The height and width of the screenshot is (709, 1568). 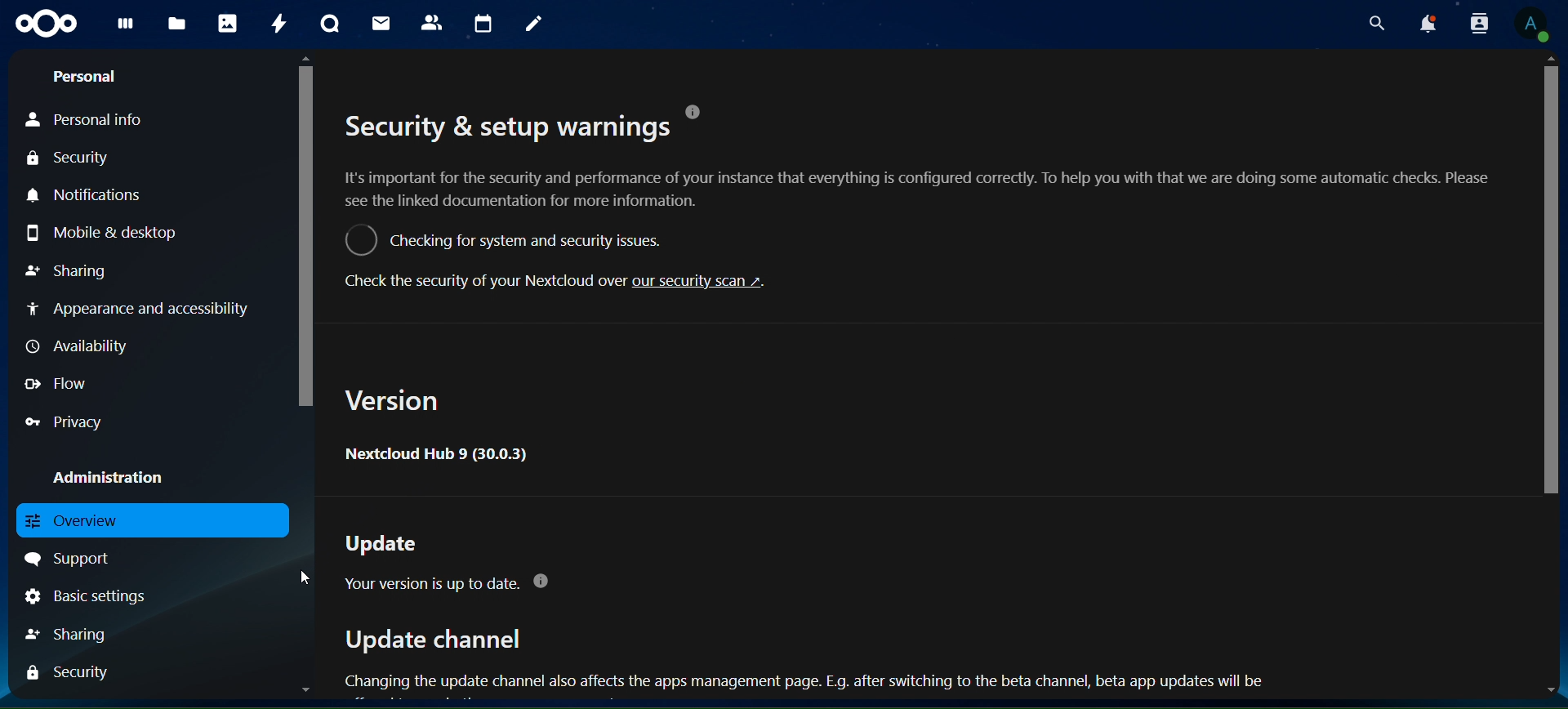 I want to click on Nextcloud Hub 9 (30.0.3), so click(x=436, y=457).